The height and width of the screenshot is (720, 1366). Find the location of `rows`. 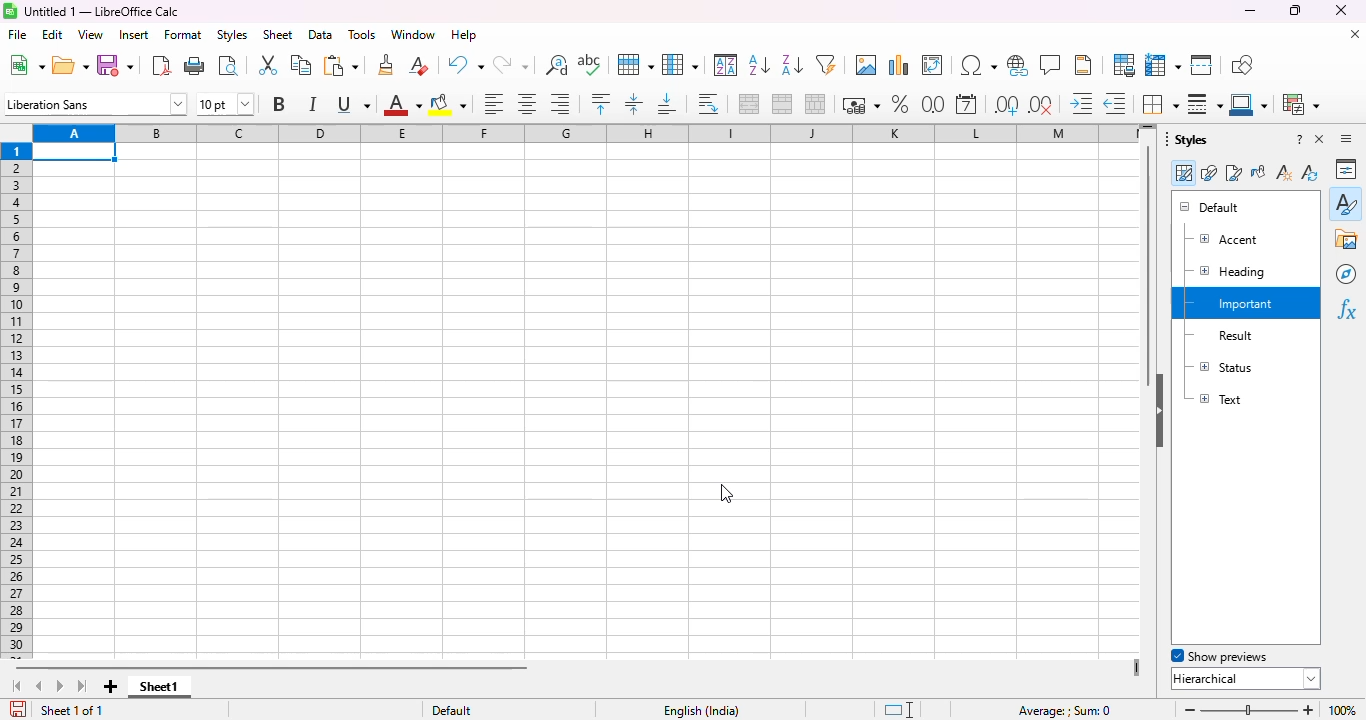

rows is located at coordinates (17, 401).